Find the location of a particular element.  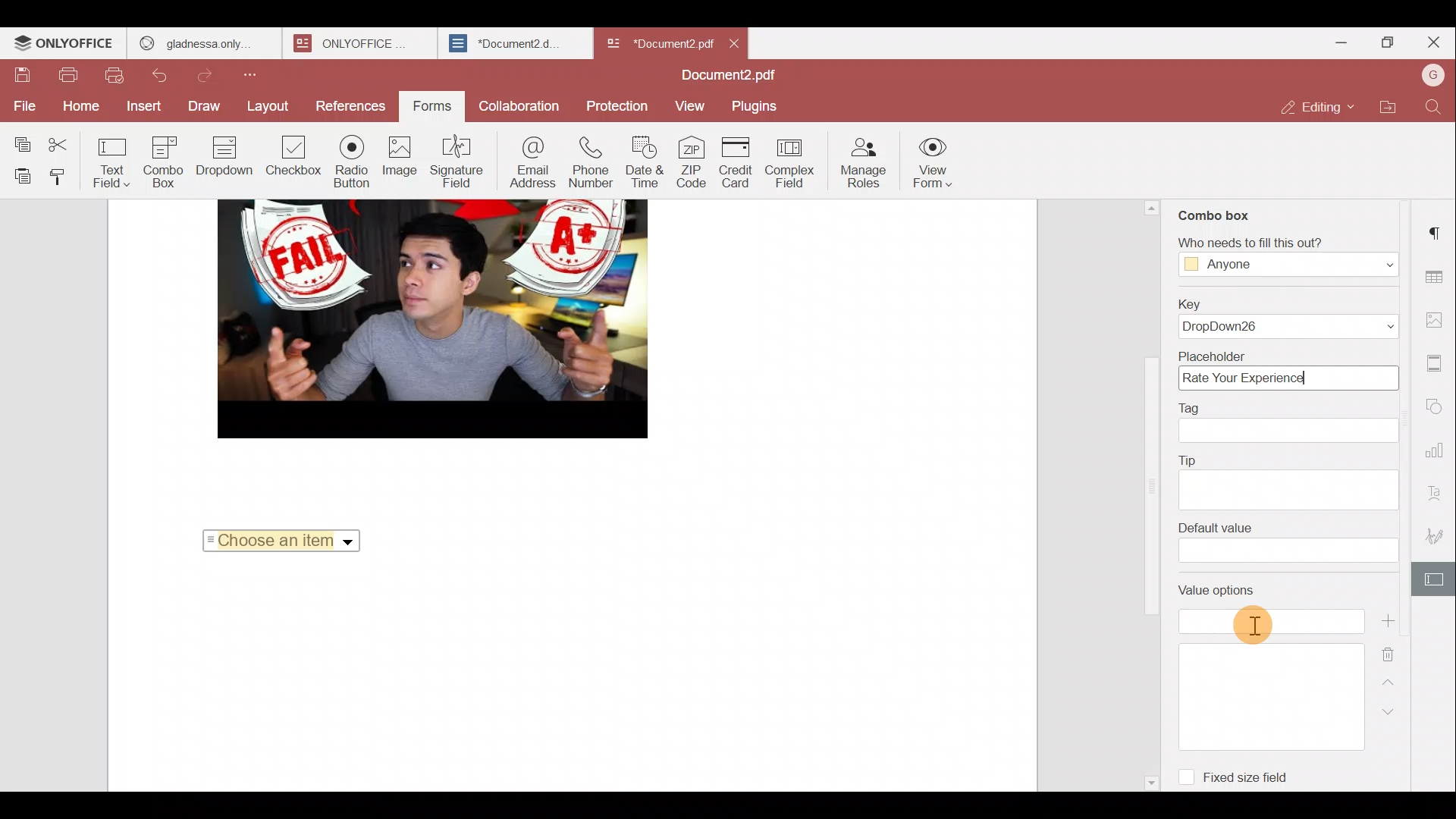

Text Art settings is located at coordinates (1438, 491).